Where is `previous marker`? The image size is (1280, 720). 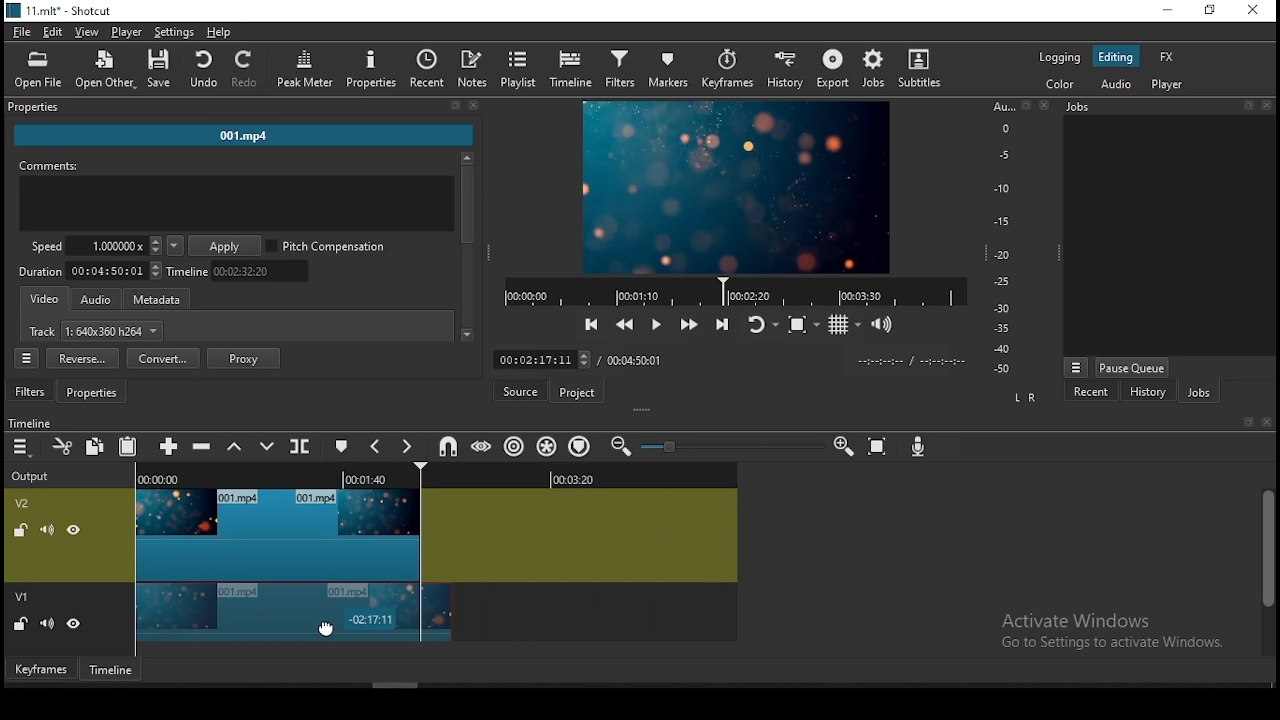 previous marker is located at coordinates (375, 446).